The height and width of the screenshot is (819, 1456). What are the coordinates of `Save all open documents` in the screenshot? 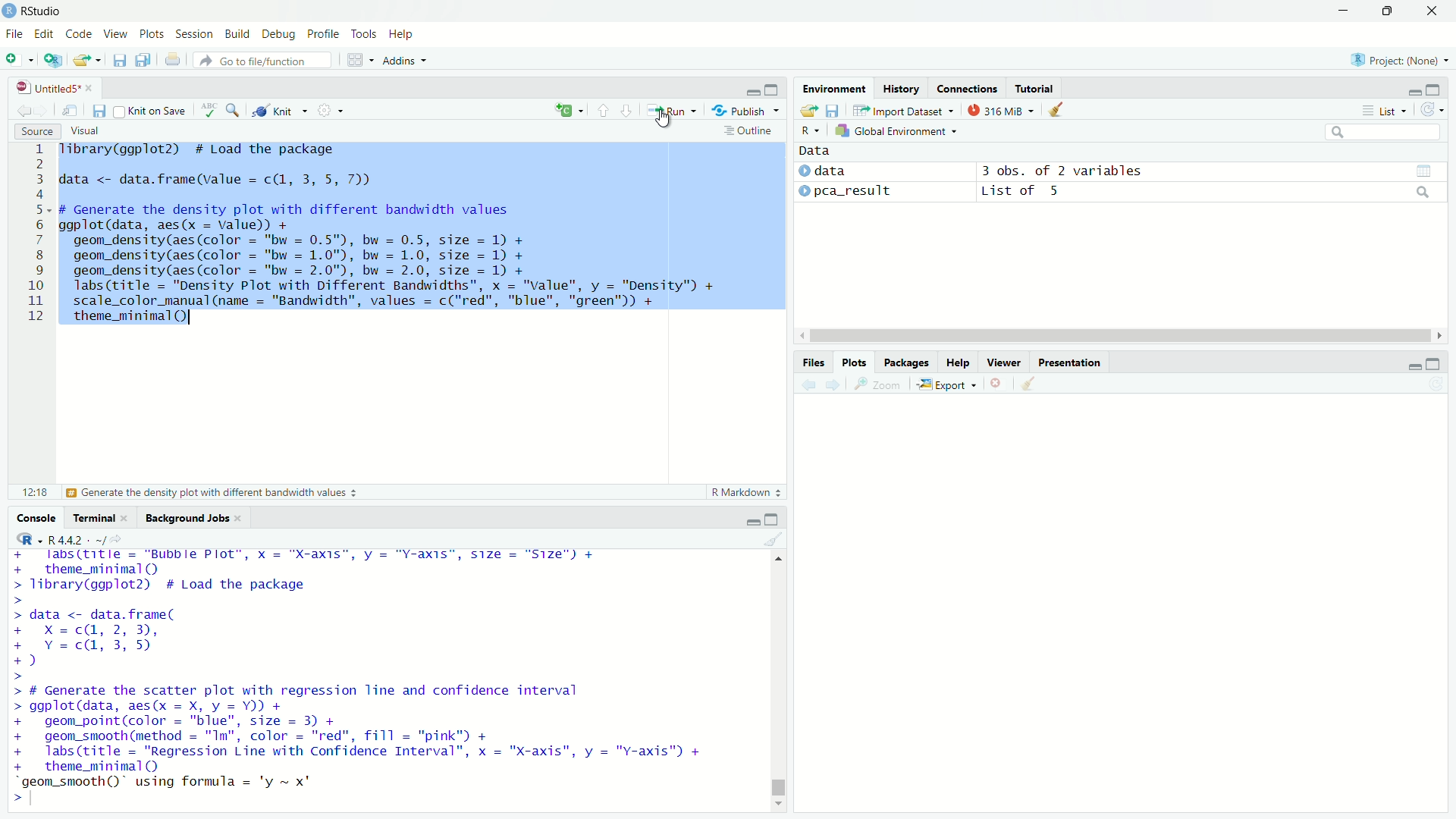 It's located at (143, 60).